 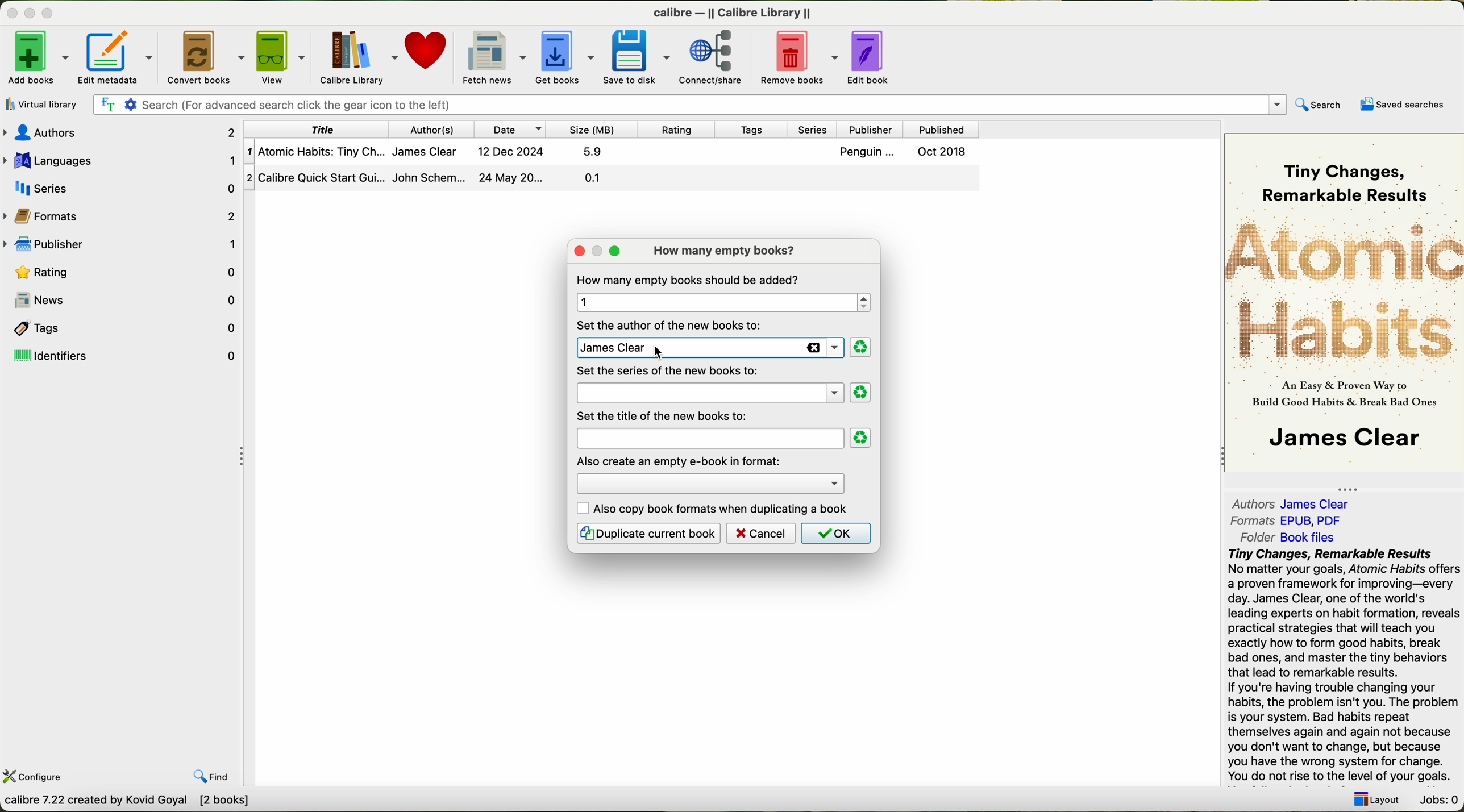 I want to click on folder, so click(x=1286, y=538).